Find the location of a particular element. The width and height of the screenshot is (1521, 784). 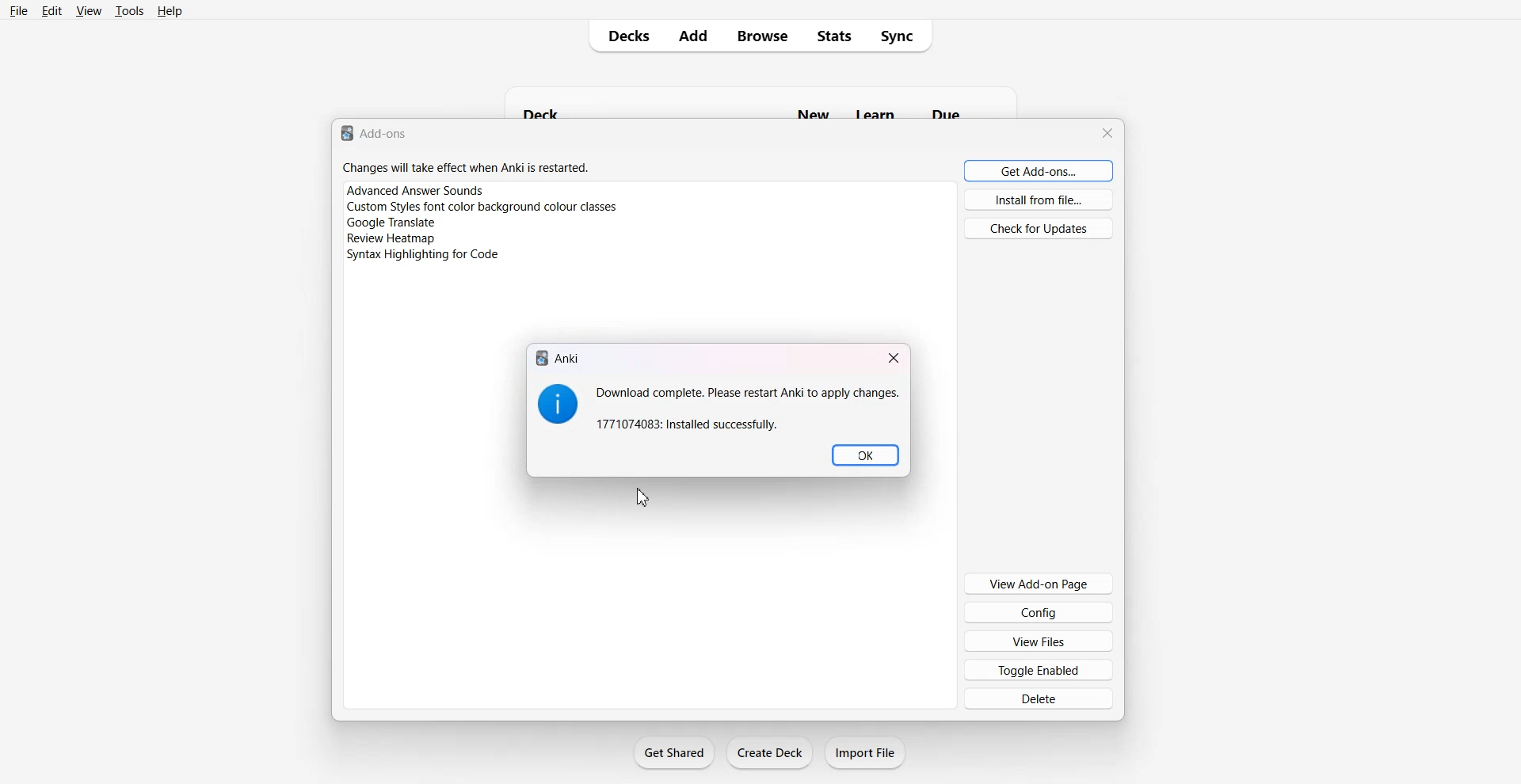

Import File is located at coordinates (867, 752).